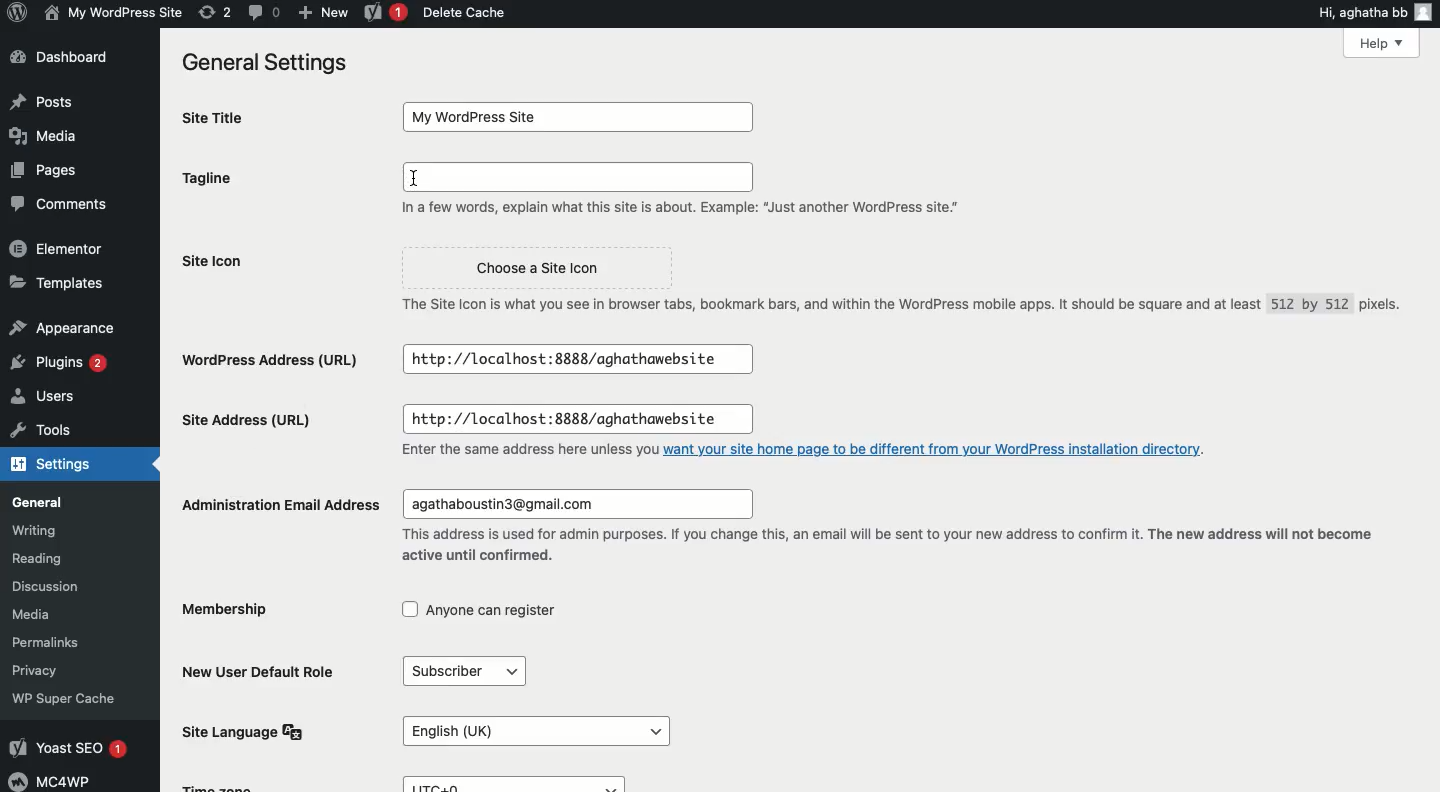  What do you see at coordinates (50, 643) in the screenshot?
I see `Permalinks` at bounding box center [50, 643].